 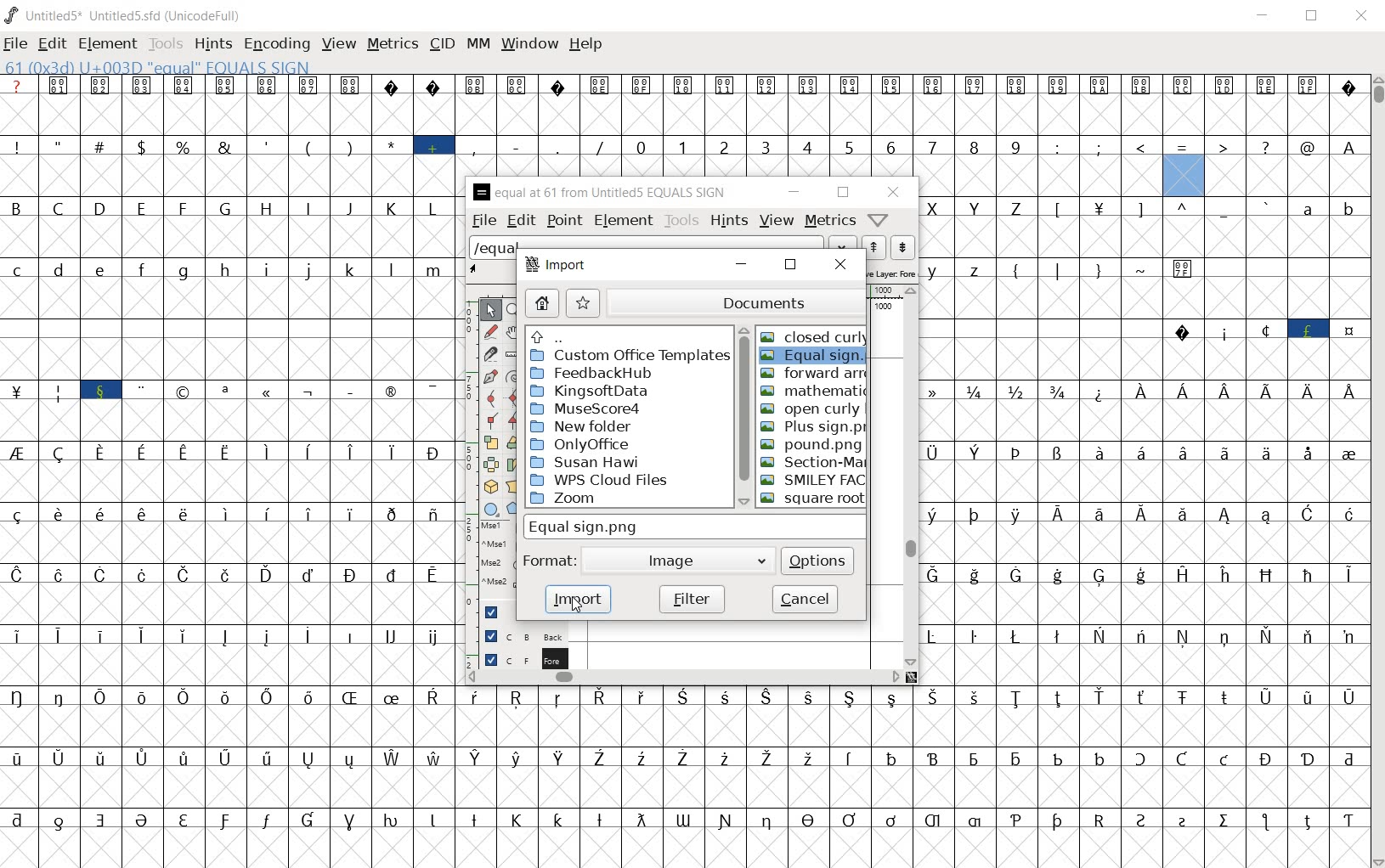 What do you see at coordinates (592, 527) in the screenshot?
I see `equal sign.png` at bounding box center [592, 527].